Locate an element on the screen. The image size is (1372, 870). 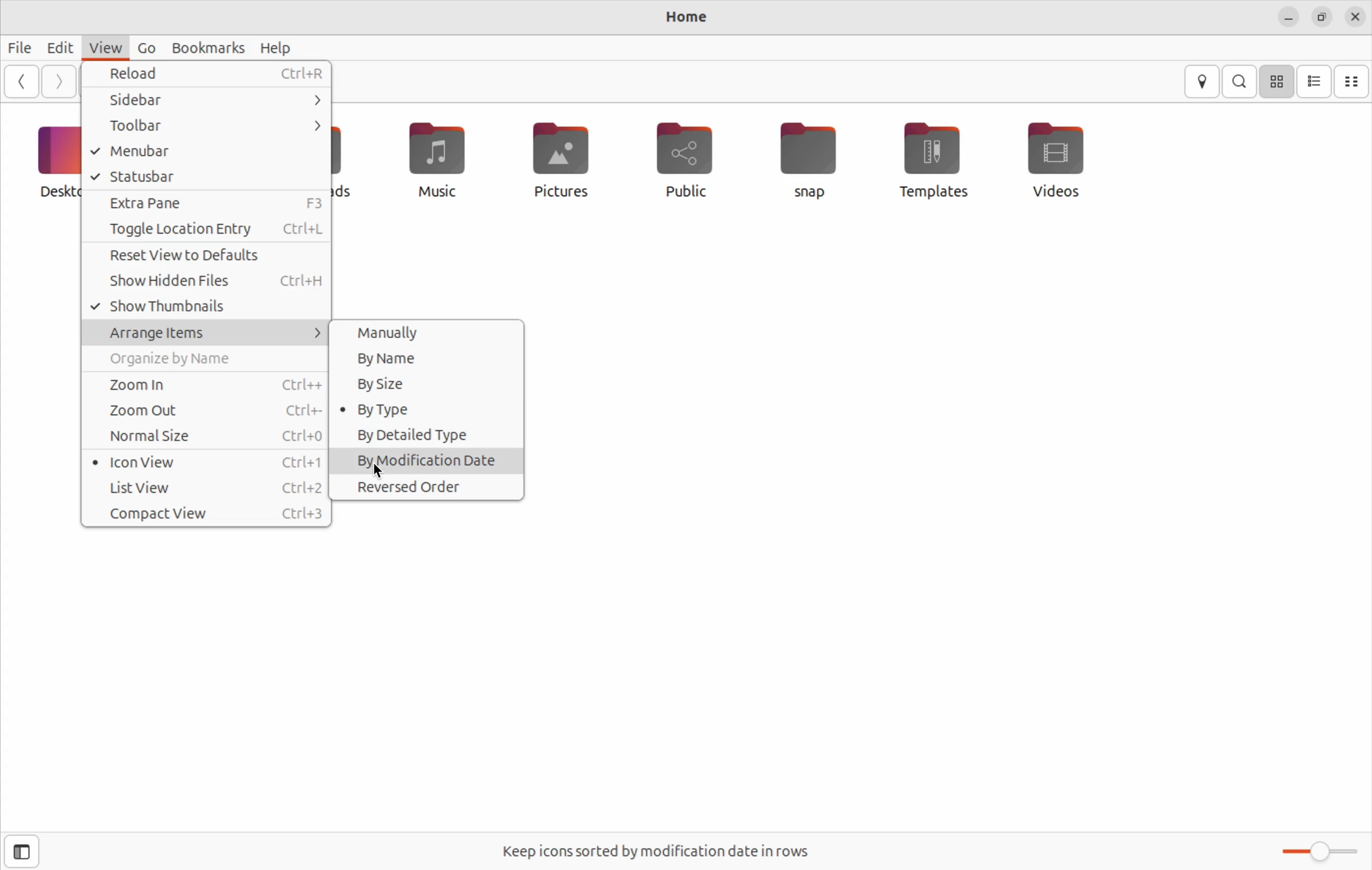
extra pane is located at coordinates (209, 203).